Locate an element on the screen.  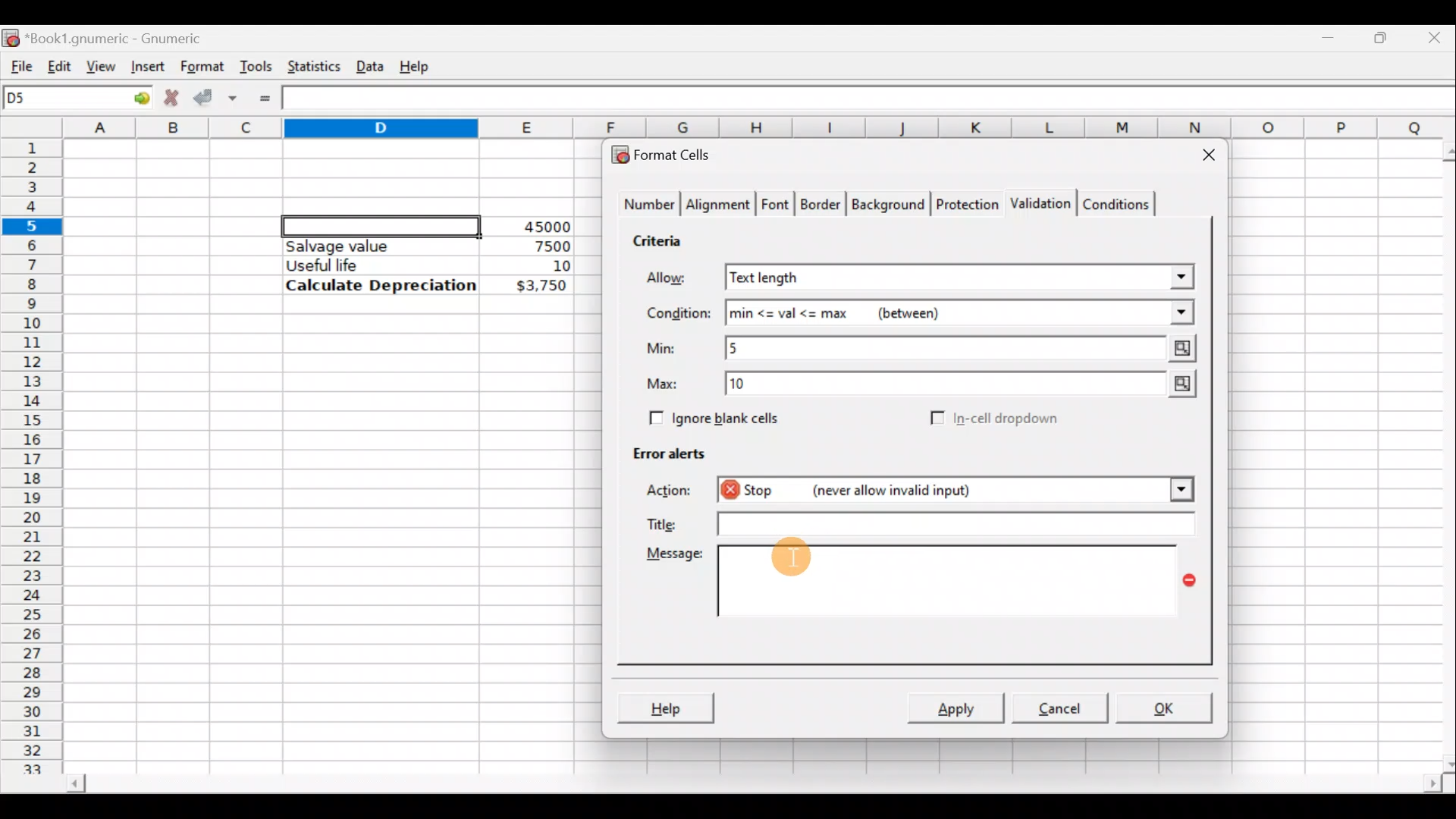
Min value = 5 is located at coordinates (963, 348).